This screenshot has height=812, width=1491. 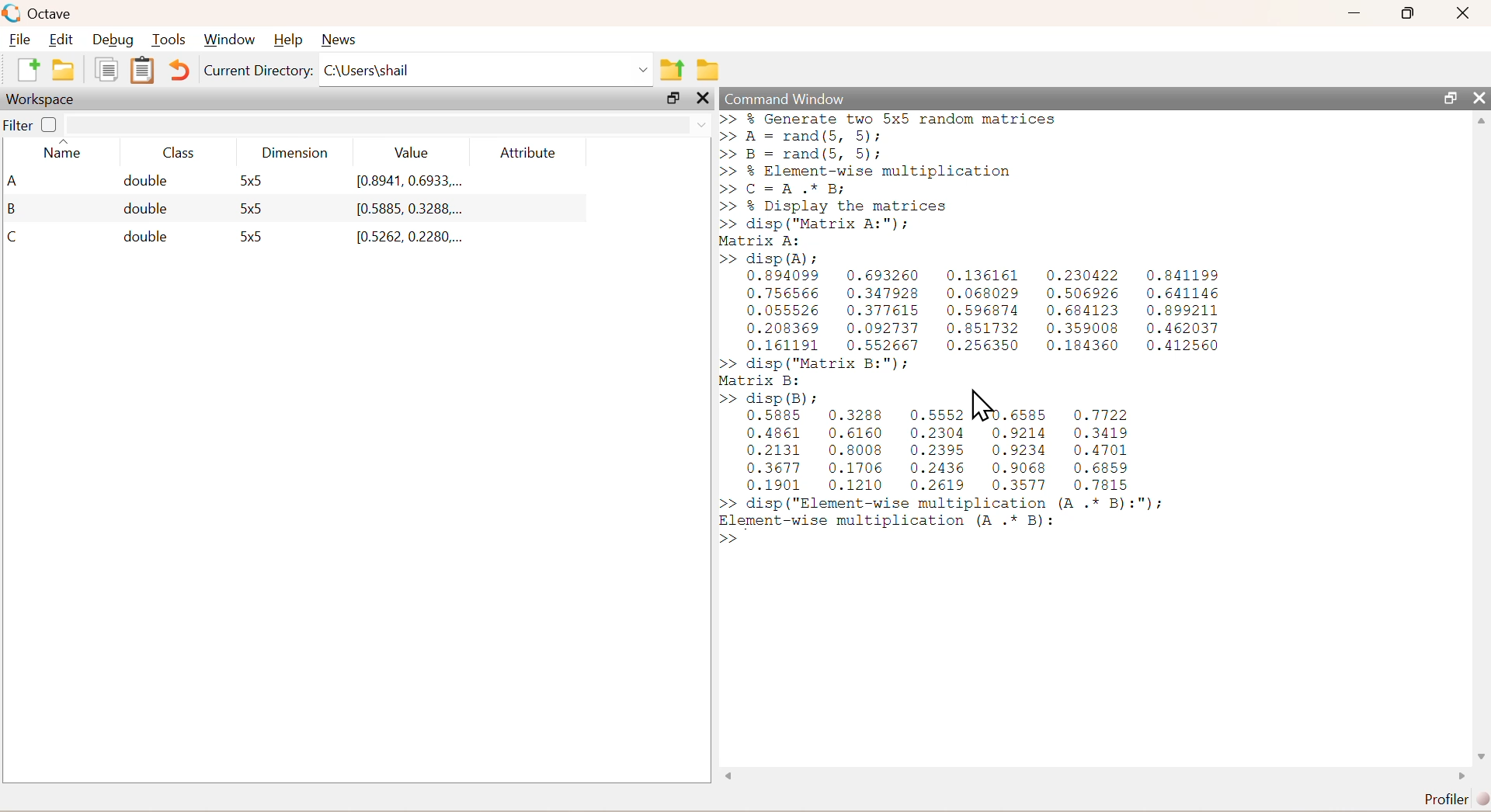 I want to click on Help, so click(x=290, y=36).